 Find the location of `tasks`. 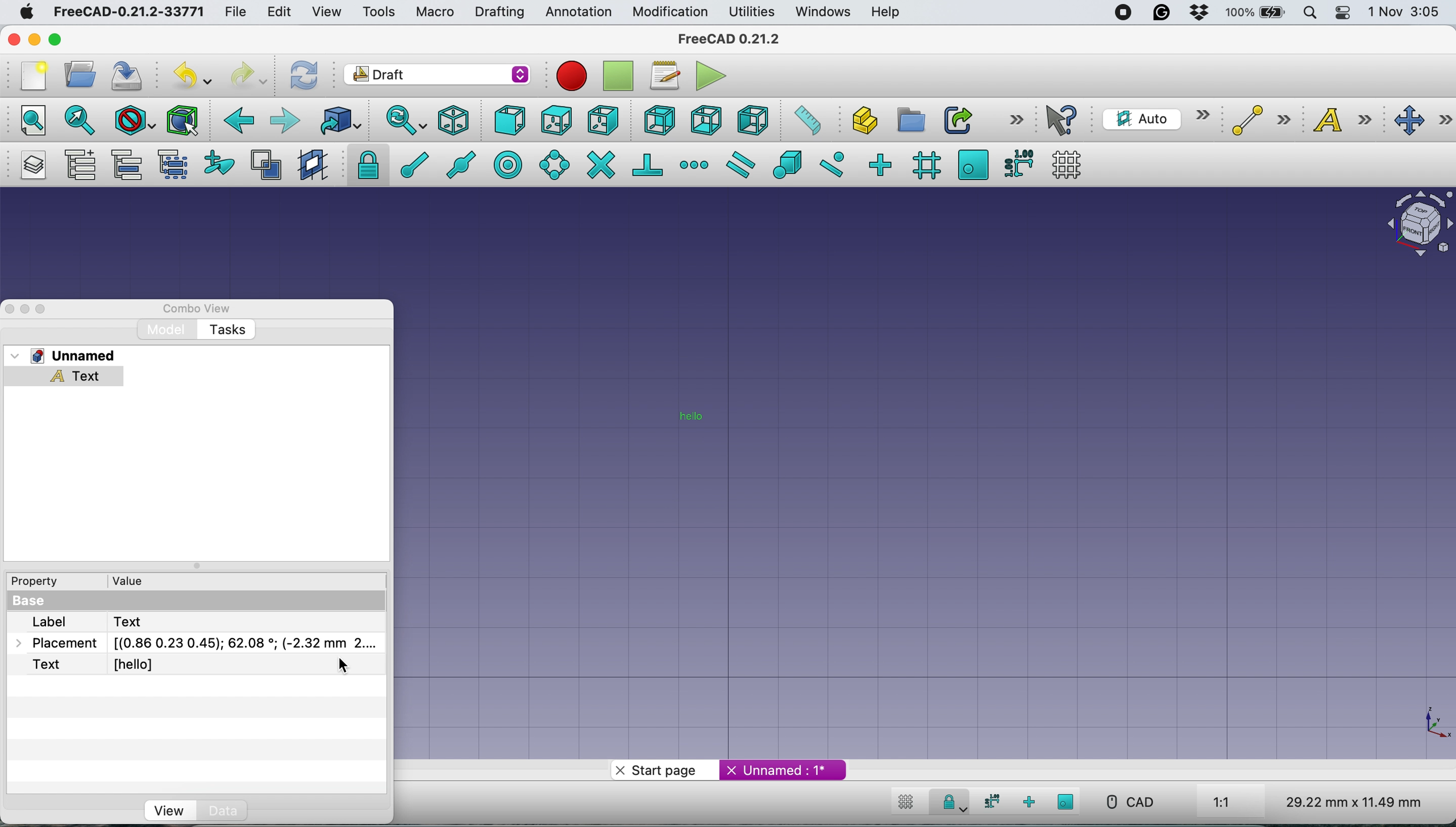

tasks is located at coordinates (219, 330).